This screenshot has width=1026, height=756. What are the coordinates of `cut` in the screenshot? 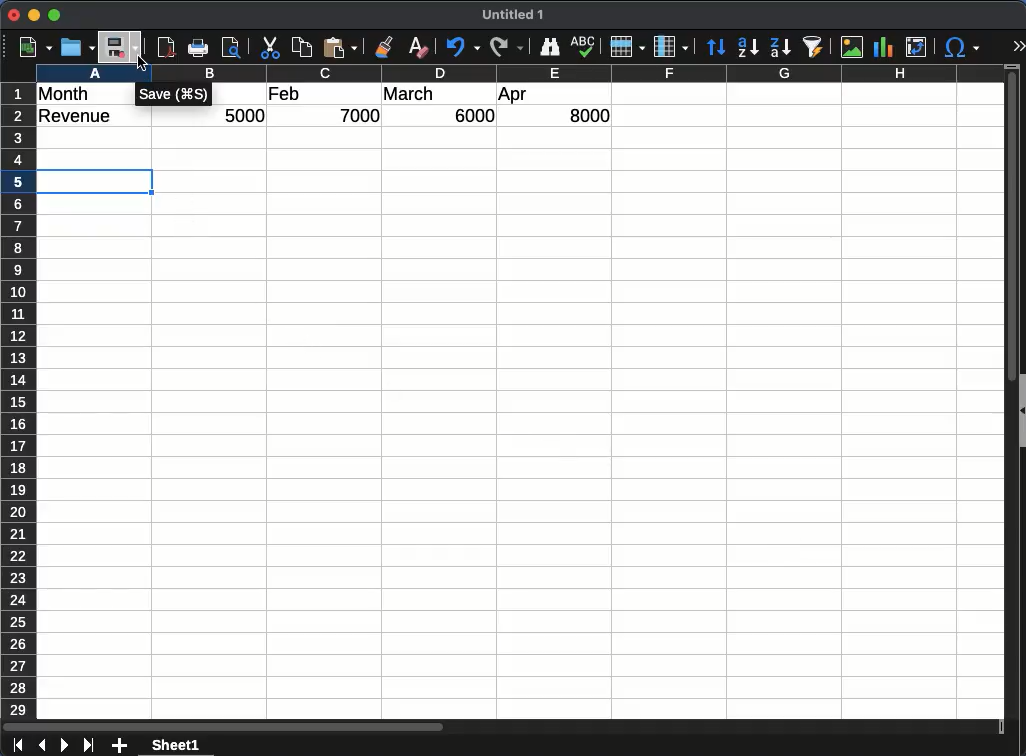 It's located at (269, 46).